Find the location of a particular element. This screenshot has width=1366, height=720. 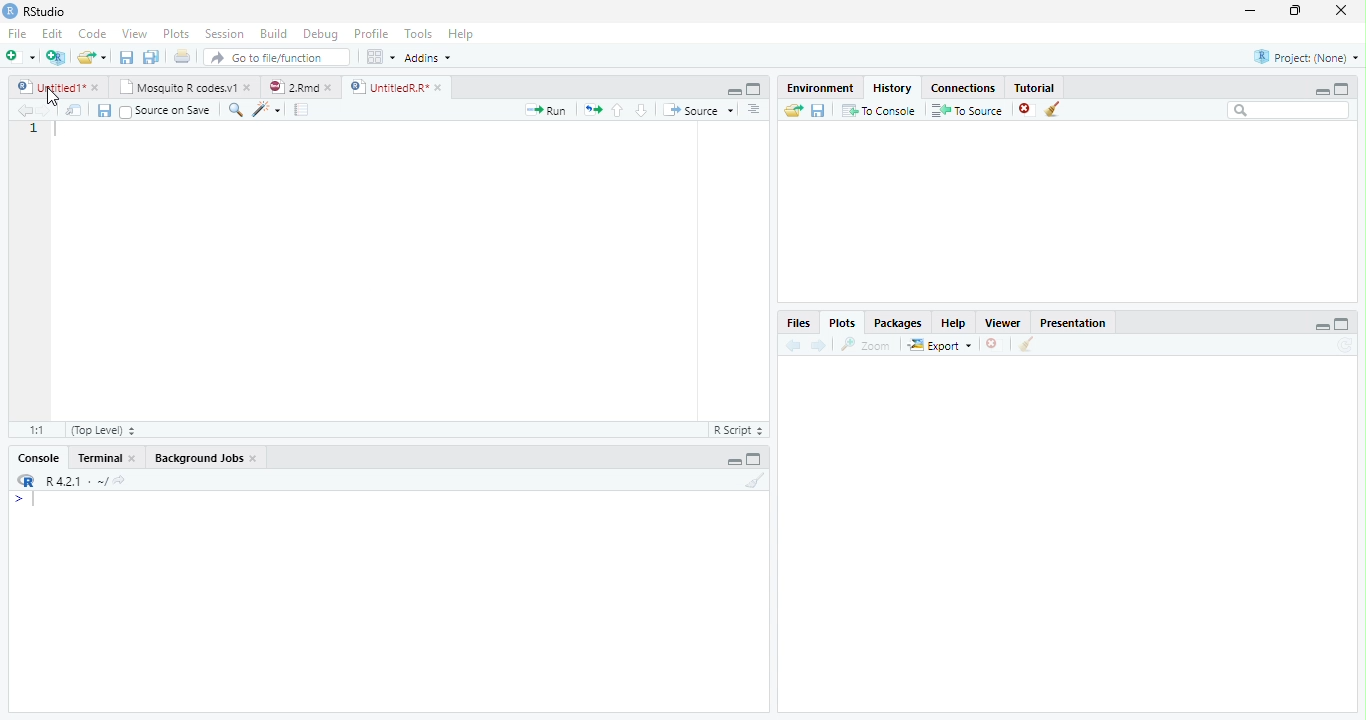

(Top Level) is located at coordinates (101, 429).